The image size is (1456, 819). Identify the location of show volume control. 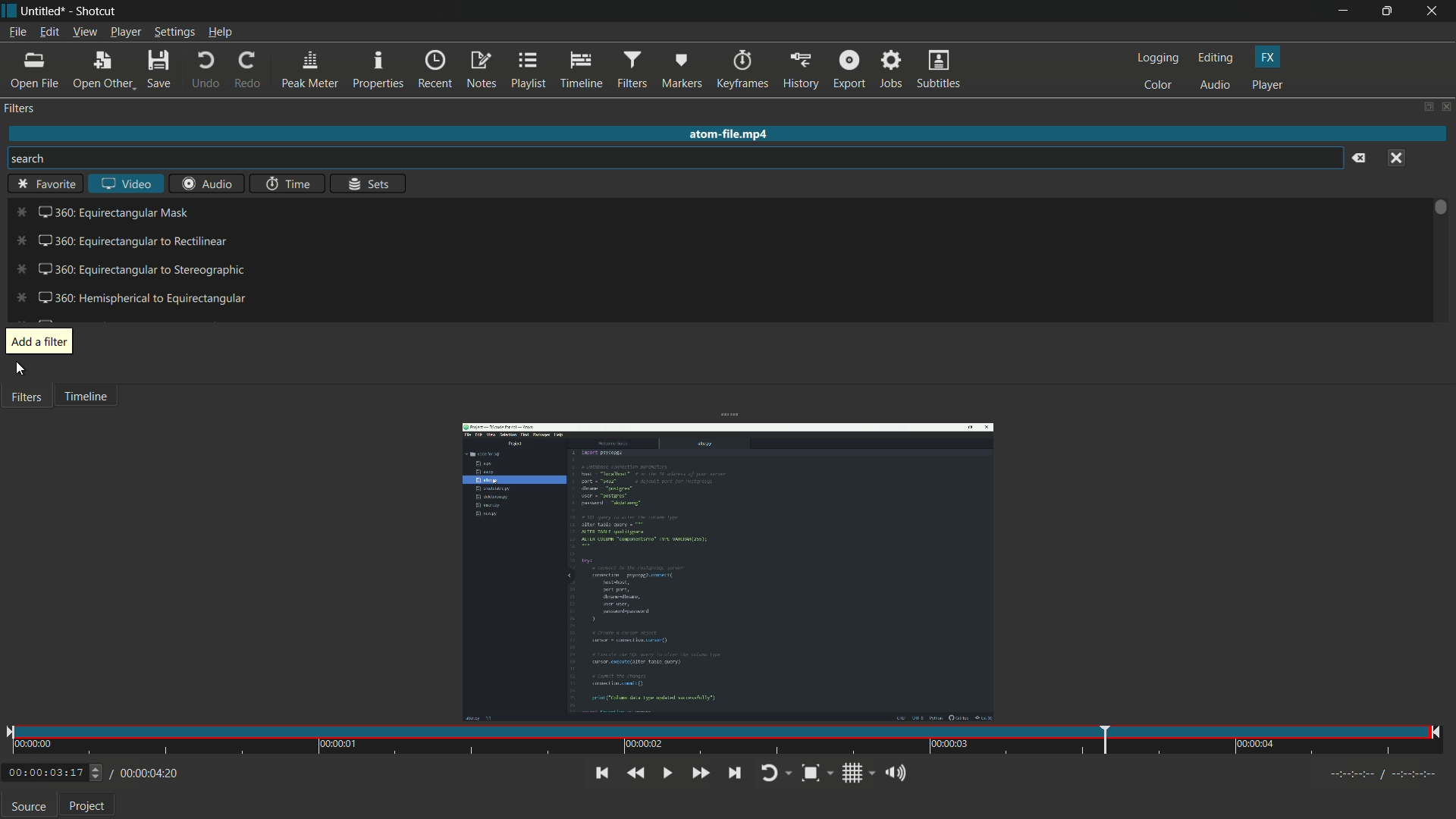
(894, 772).